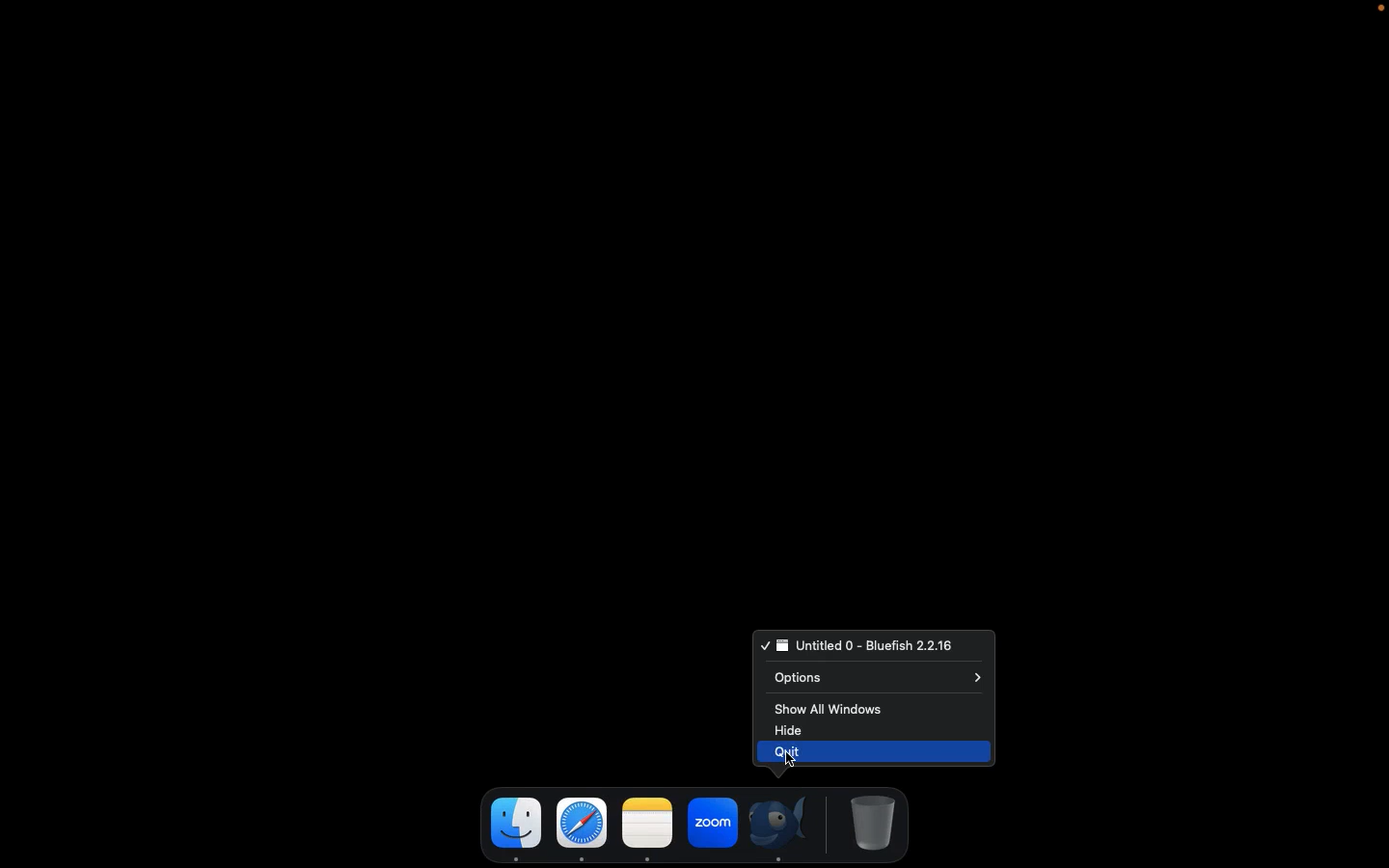 Image resolution: width=1389 pixels, height=868 pixels. I want to click on Trash, so click(874, 823).